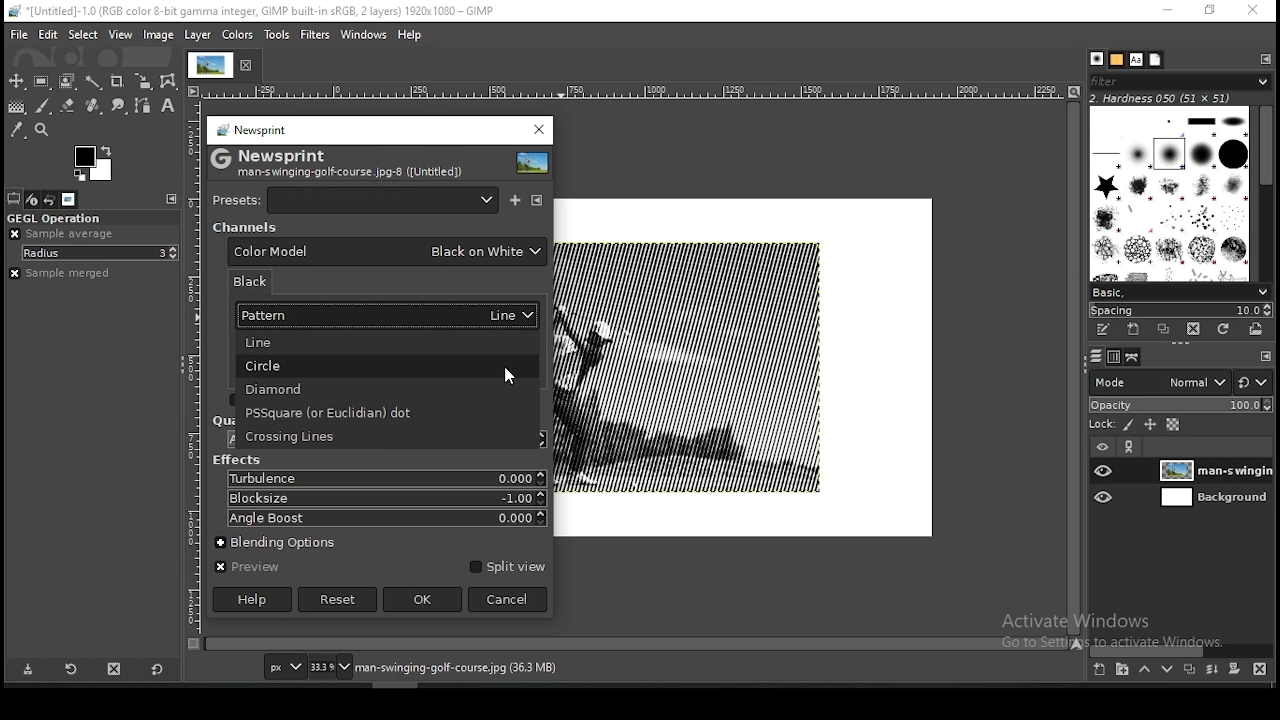 This screenshot has height=720, width=1280. I want to click on move layer one step up, so click(1144, 669).